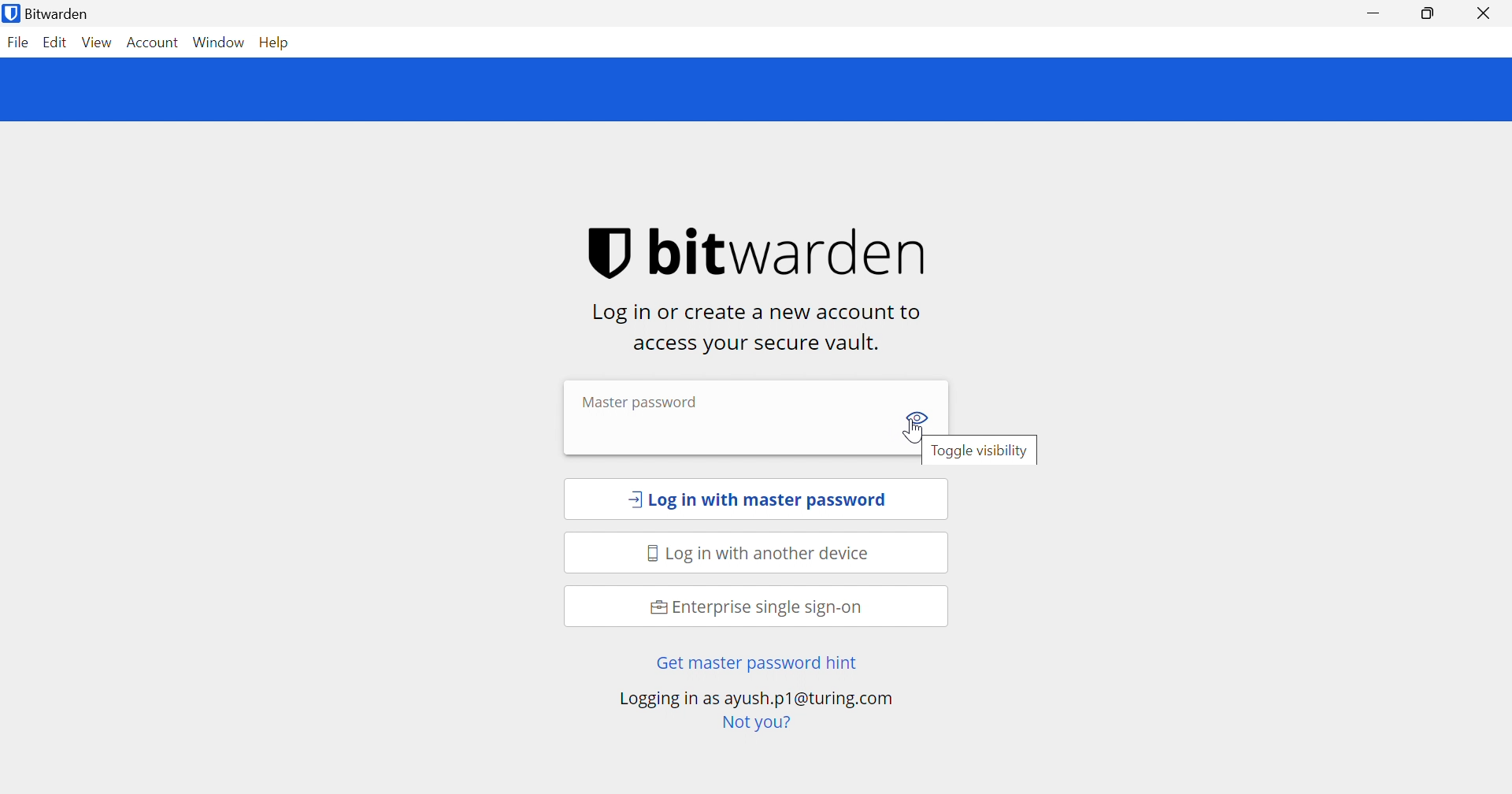  Describe the element at coordinates (152, 42) in the screenshot. I see `Account` at that location.